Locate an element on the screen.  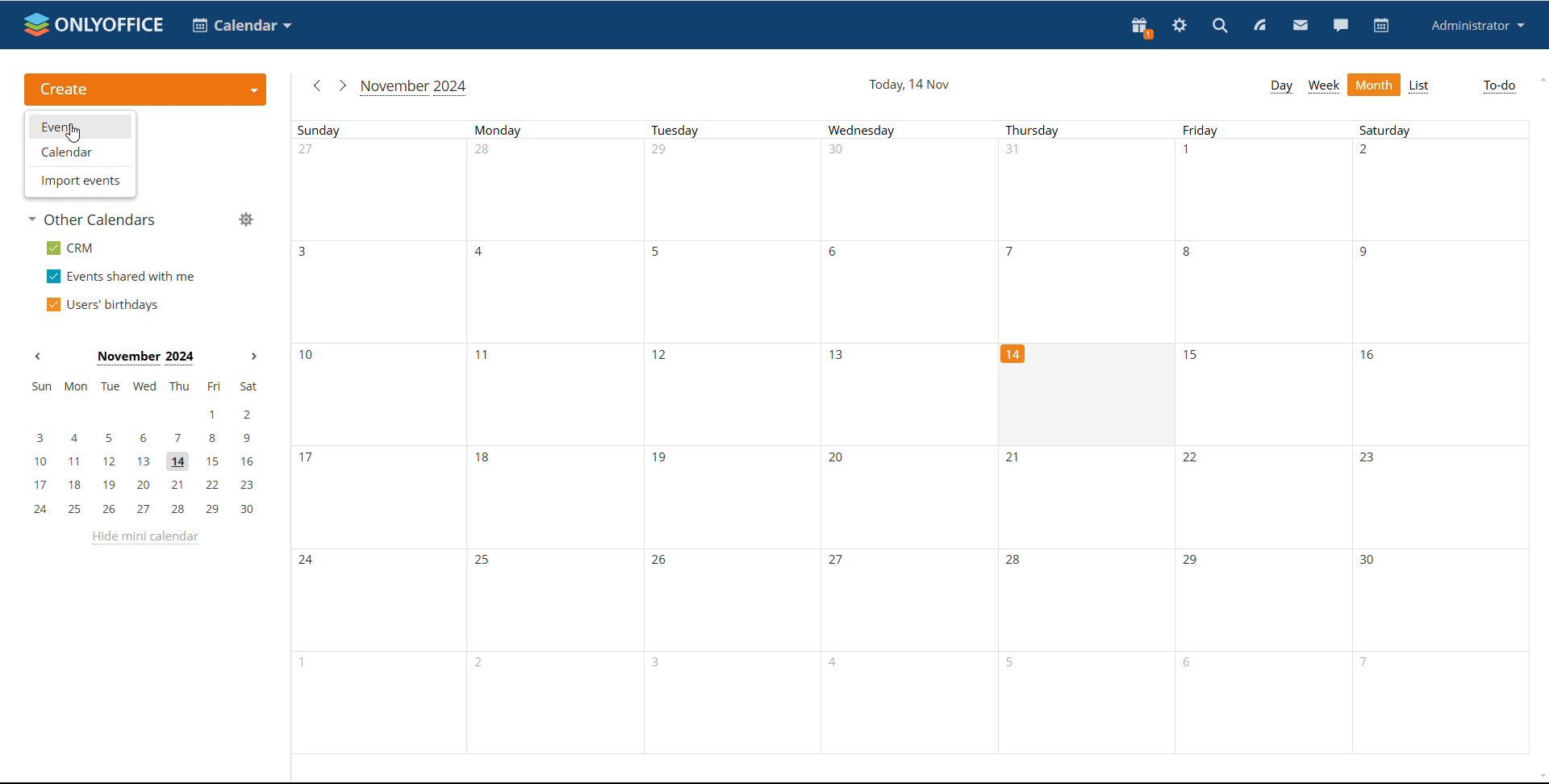
Different dates of the month is located at coordinates (645, 394).